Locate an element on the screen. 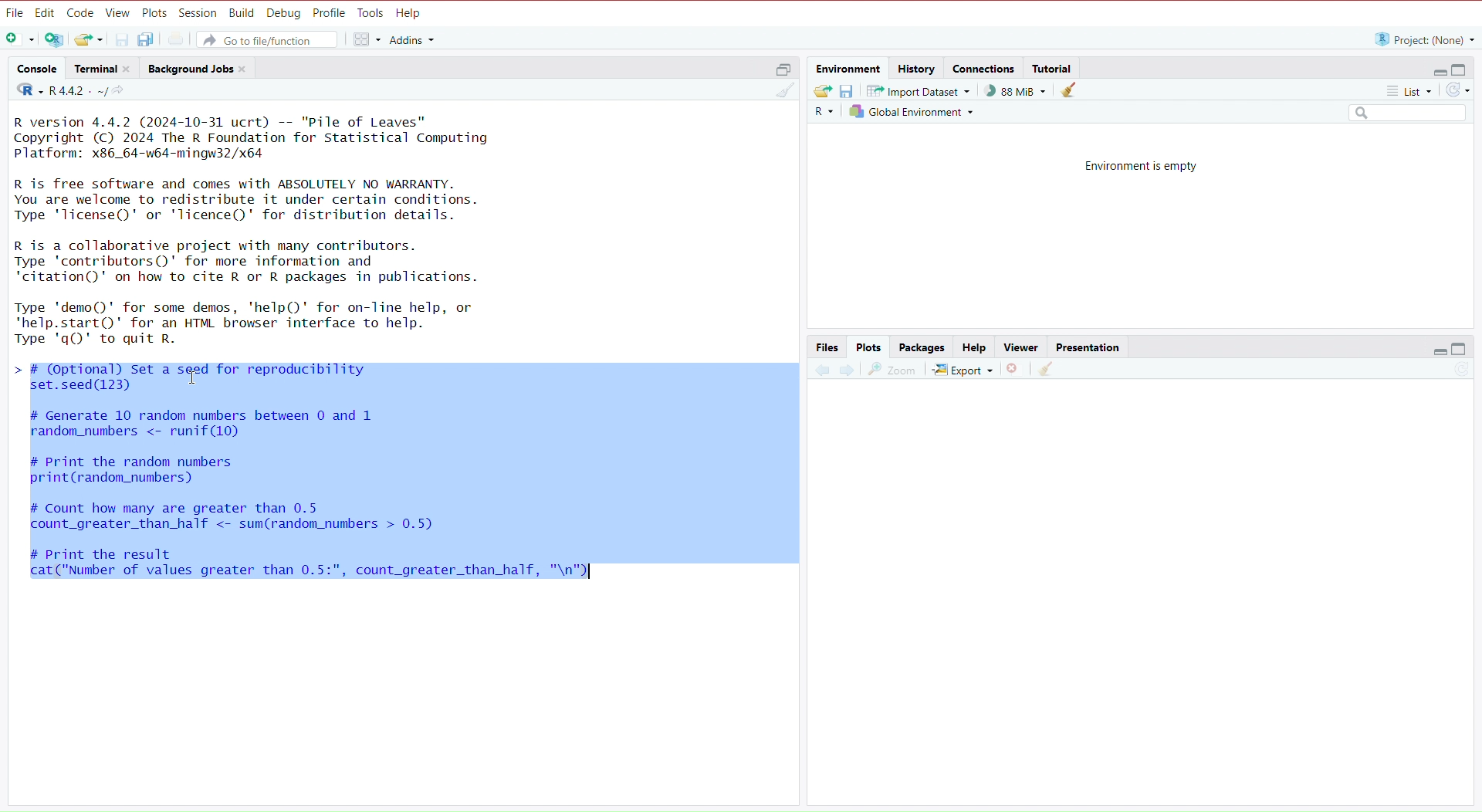  File is located at coordinates (15, 12).